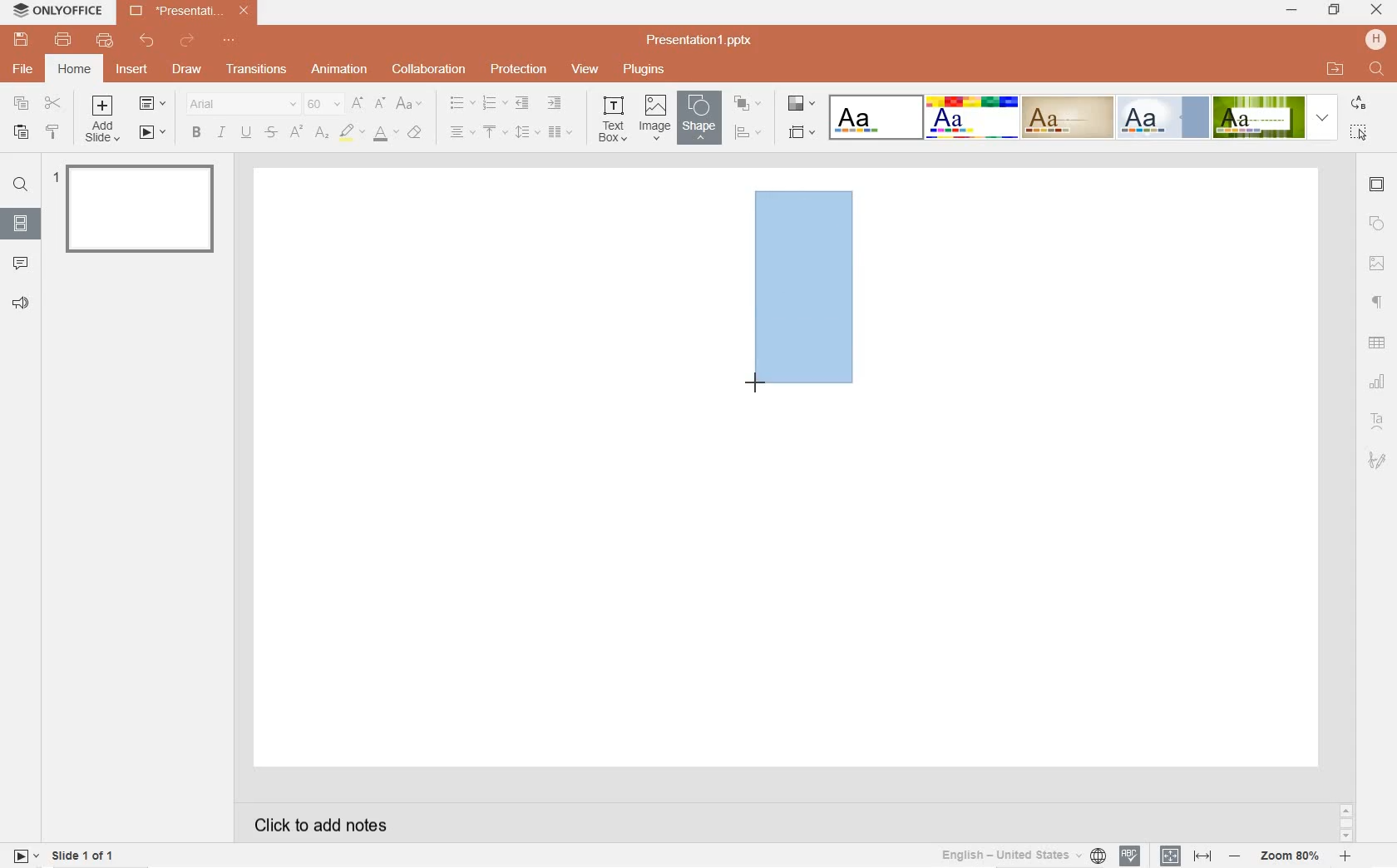  What do you see at coordinates (1129, 856) in the screenshot?
I see `spell checking` at bounding box center [1129, 856].